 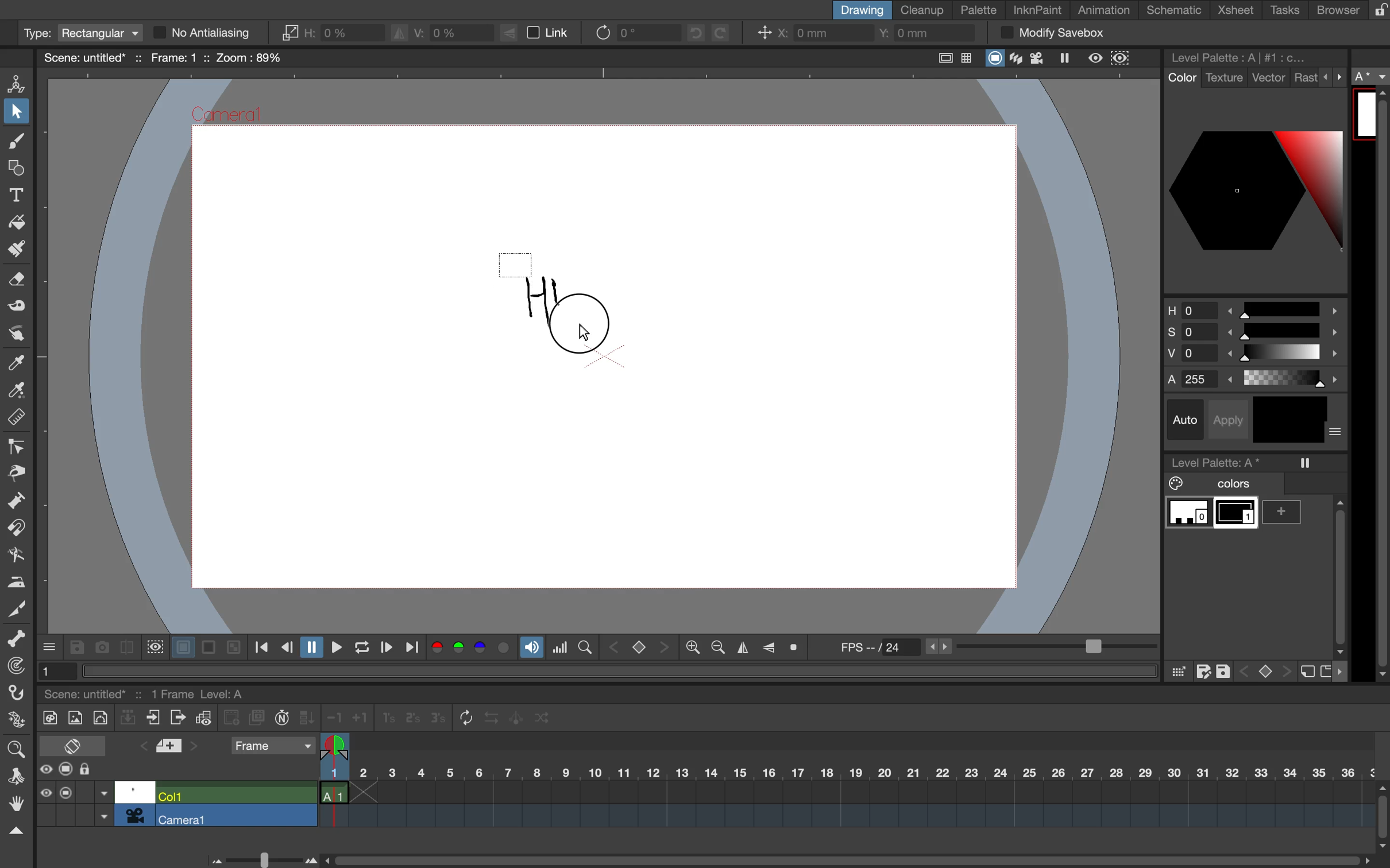 I want to click on previous frame, so click(x=286, y=648).